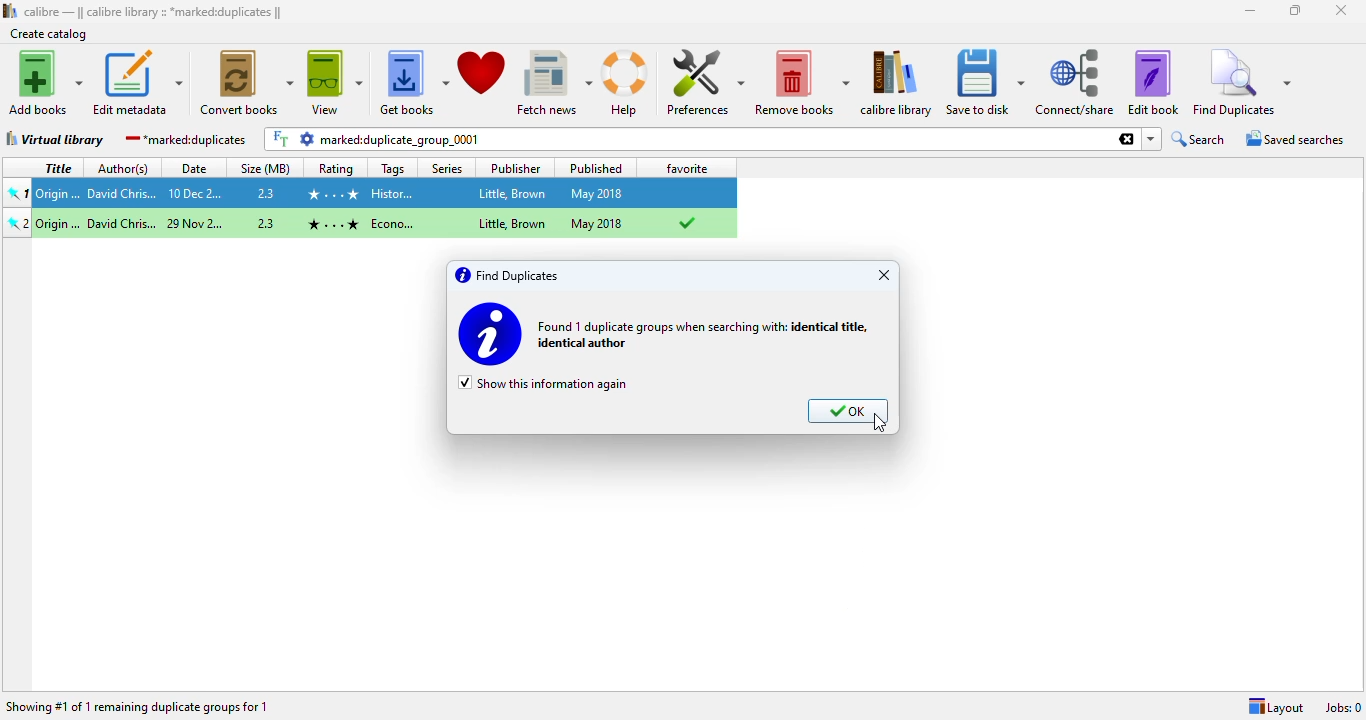  I want to click on donate to support calibre, so click(482, 73).